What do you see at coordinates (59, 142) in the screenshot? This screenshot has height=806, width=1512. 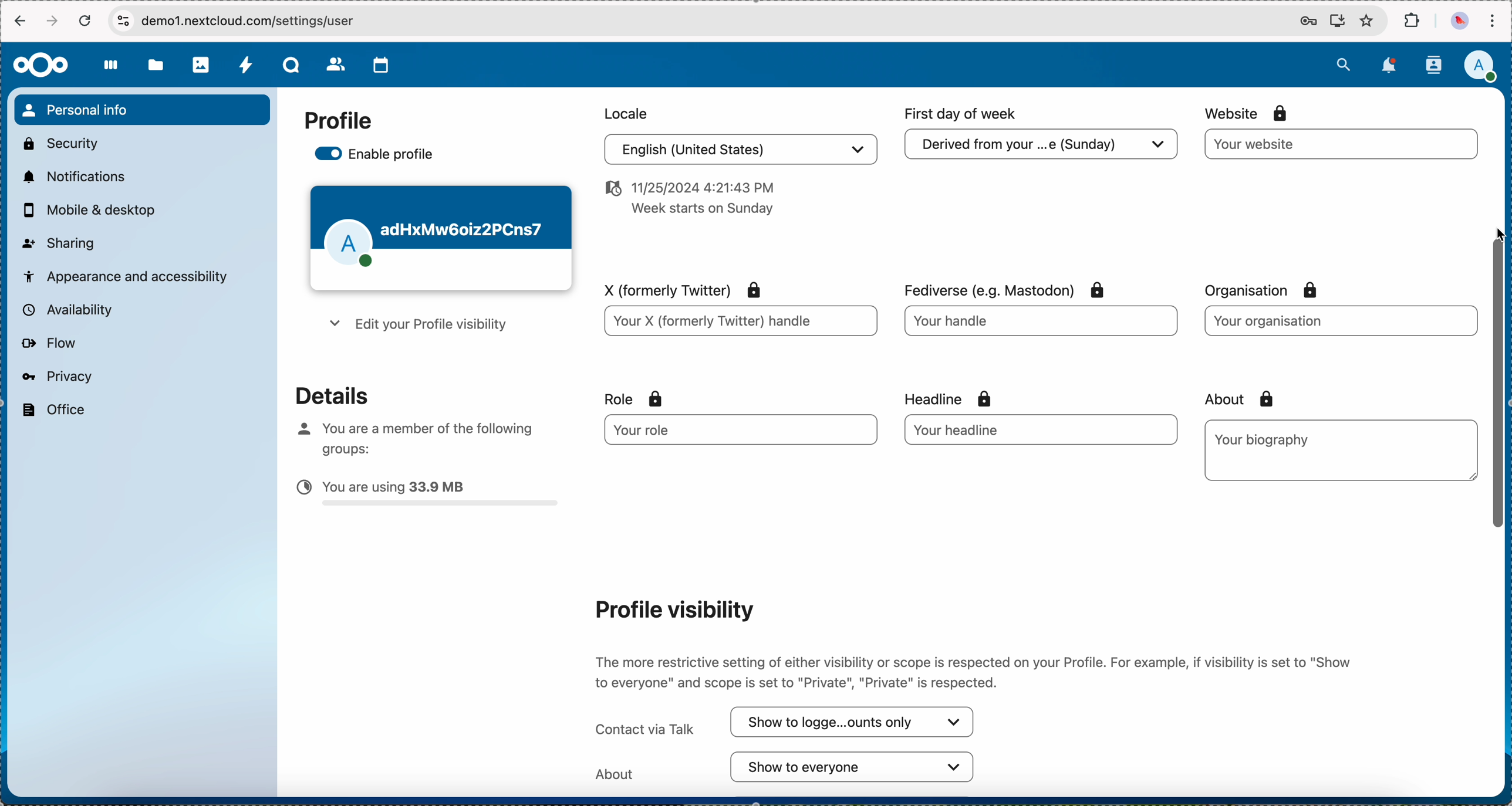 I see `security` at bounding box center [59, 142].